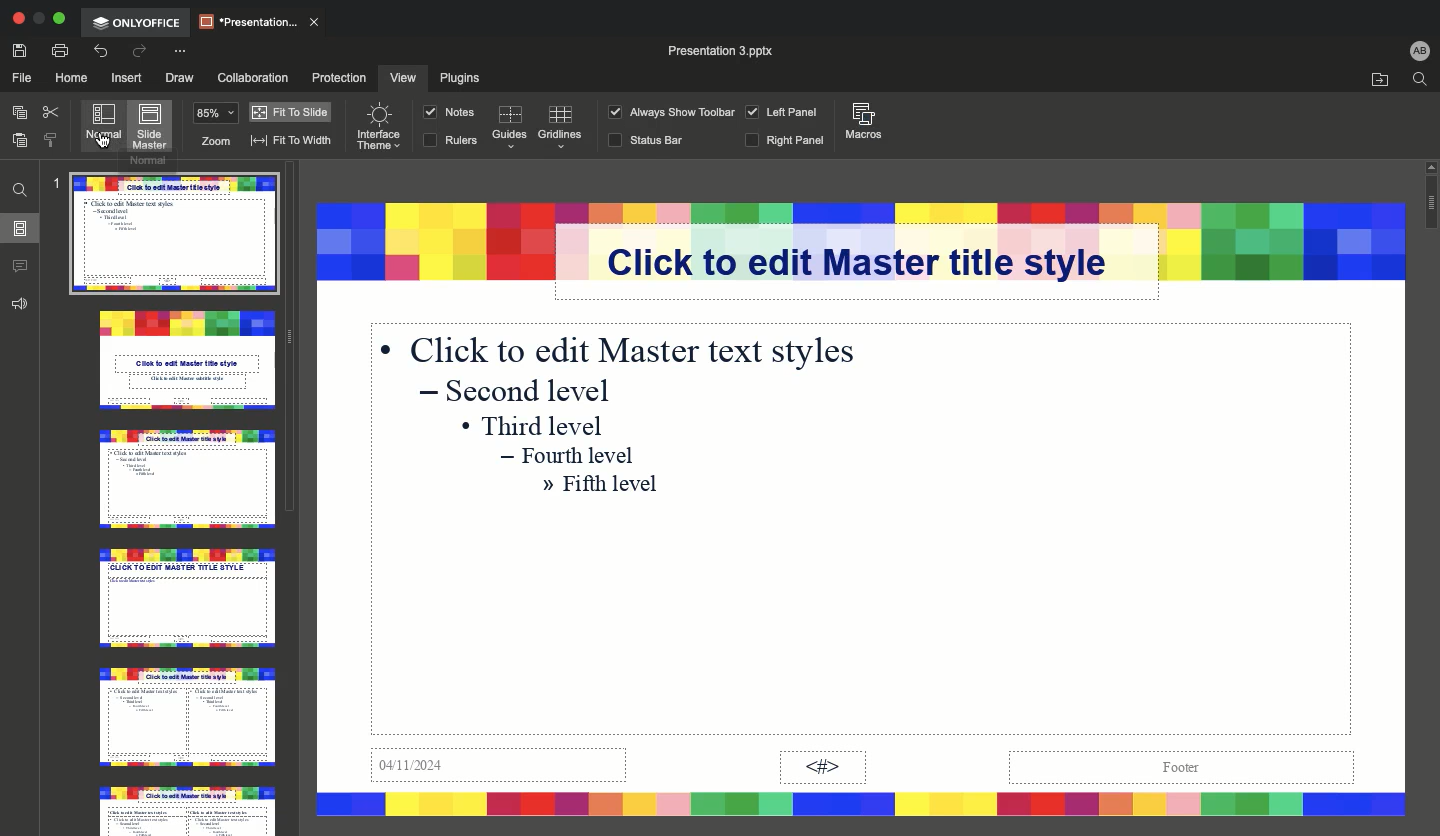 Image resolution: width=1440 pixels, height=836 pixels. What do you see at coordinates (1420, 79) in the screenshot?
I see `Find` at bounding box center [1420, 79].